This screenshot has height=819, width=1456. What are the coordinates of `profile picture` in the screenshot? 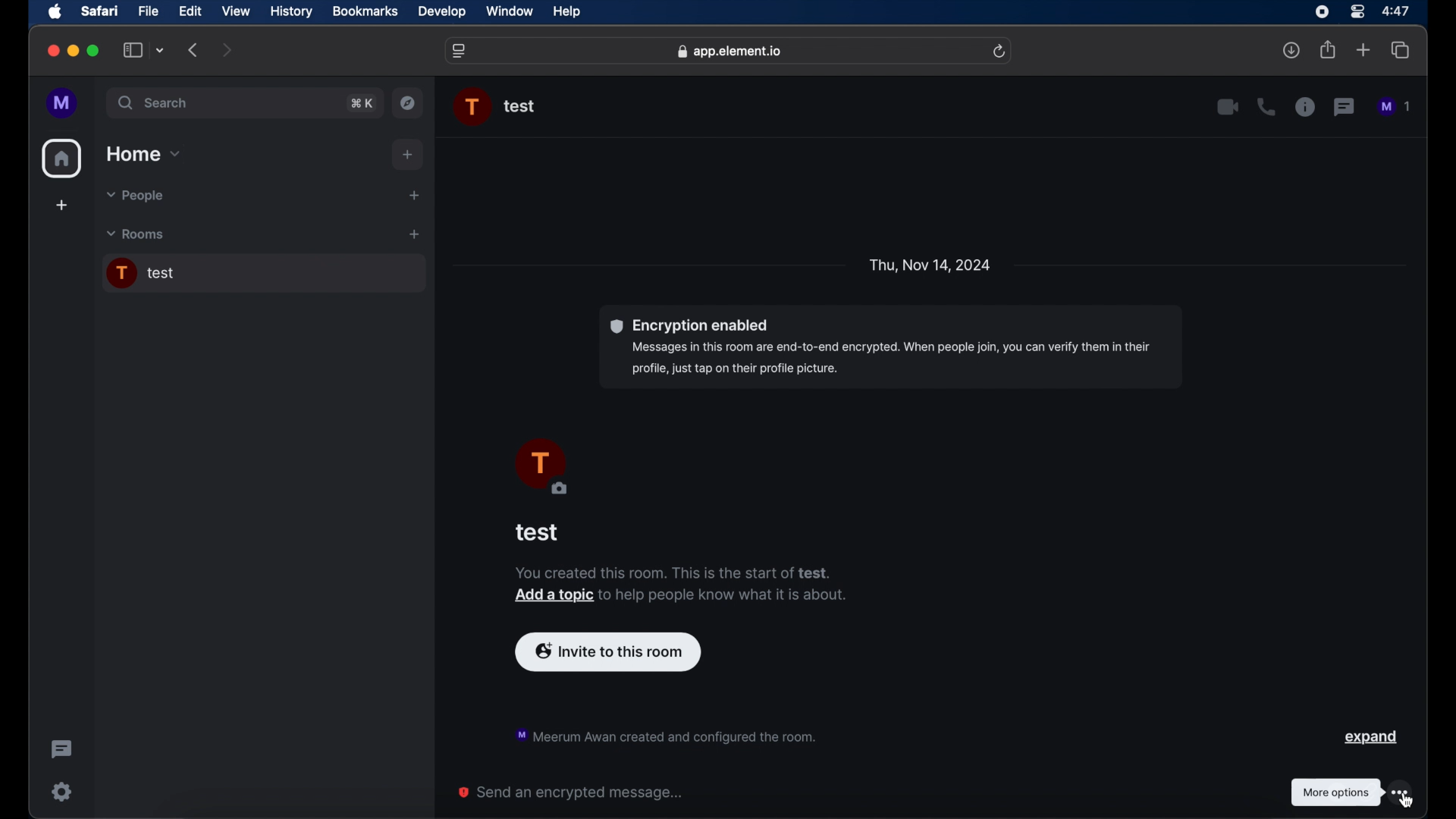 It's located at (540, 468).